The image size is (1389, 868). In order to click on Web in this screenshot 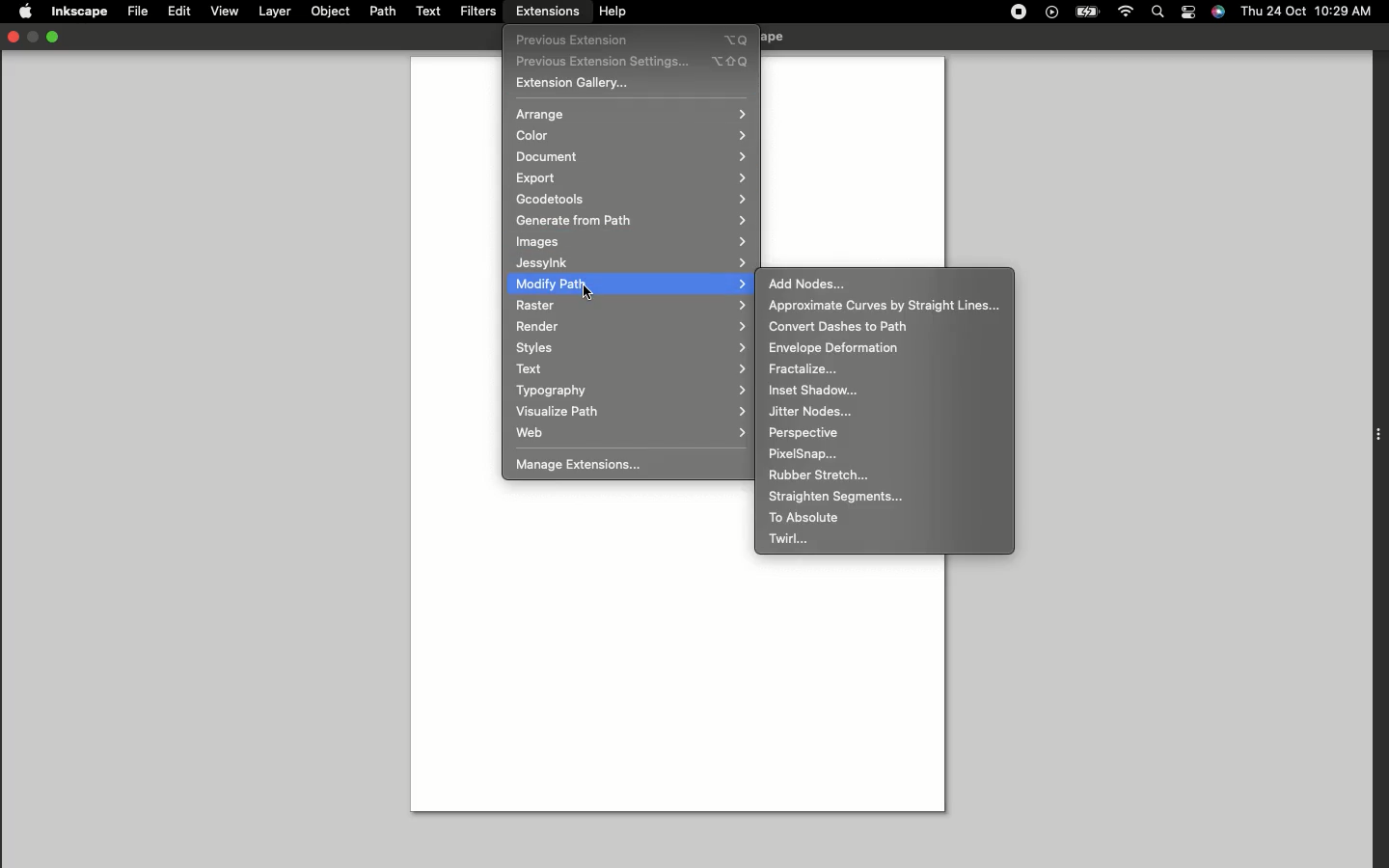, I will do `click(629, 432)`.